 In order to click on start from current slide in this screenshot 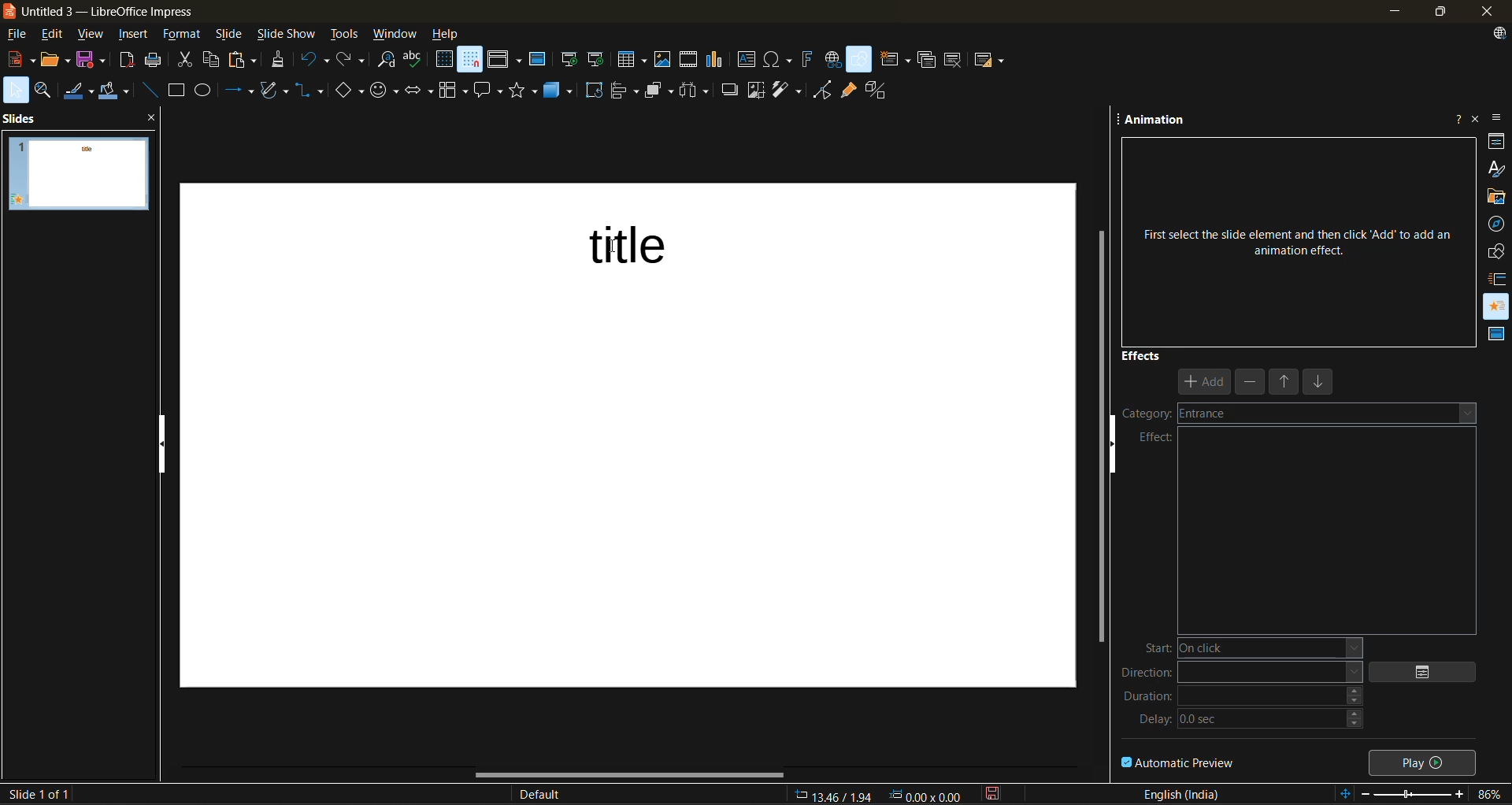, I will do `click(595, 59)`.